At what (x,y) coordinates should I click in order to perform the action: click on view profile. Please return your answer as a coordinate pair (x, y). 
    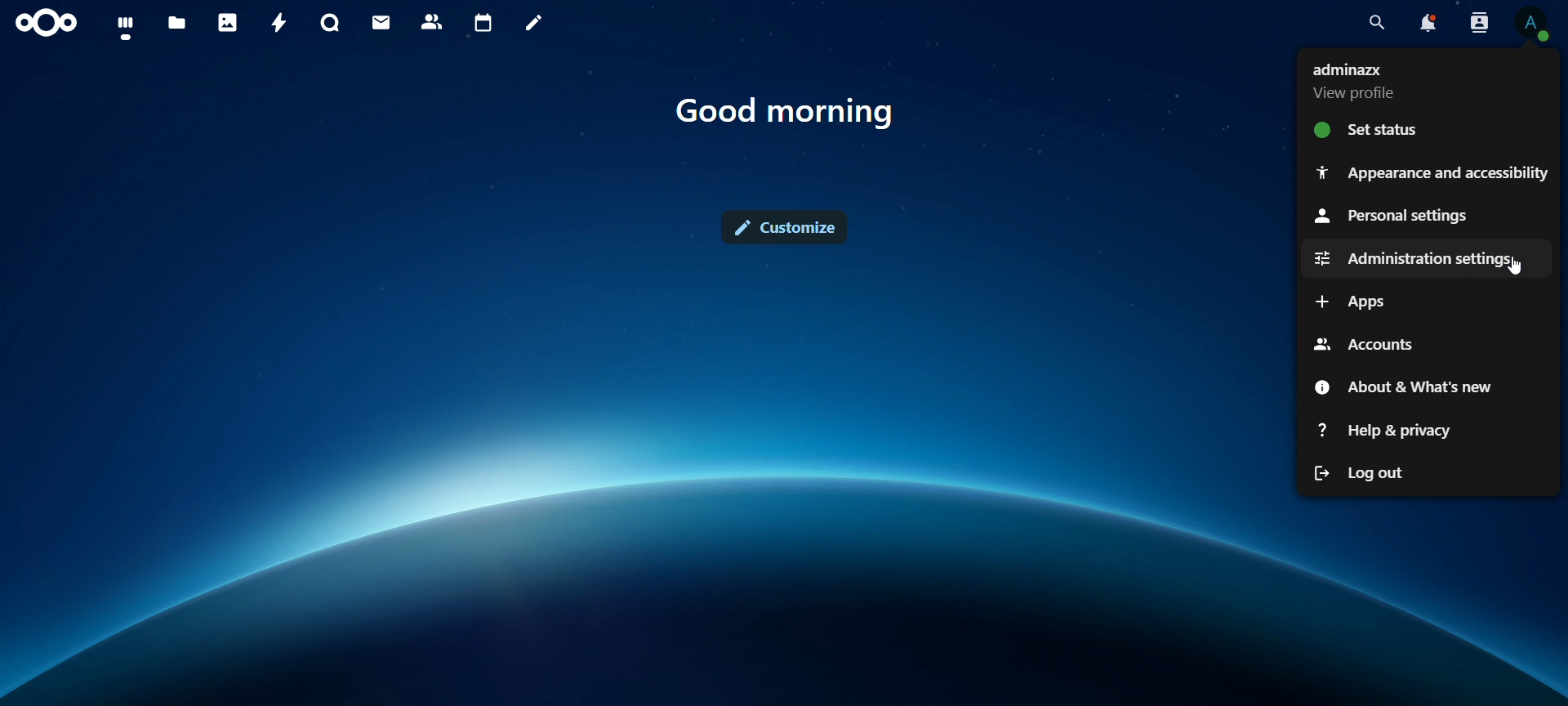
    Looking at the image, I should click on (1534, 25).